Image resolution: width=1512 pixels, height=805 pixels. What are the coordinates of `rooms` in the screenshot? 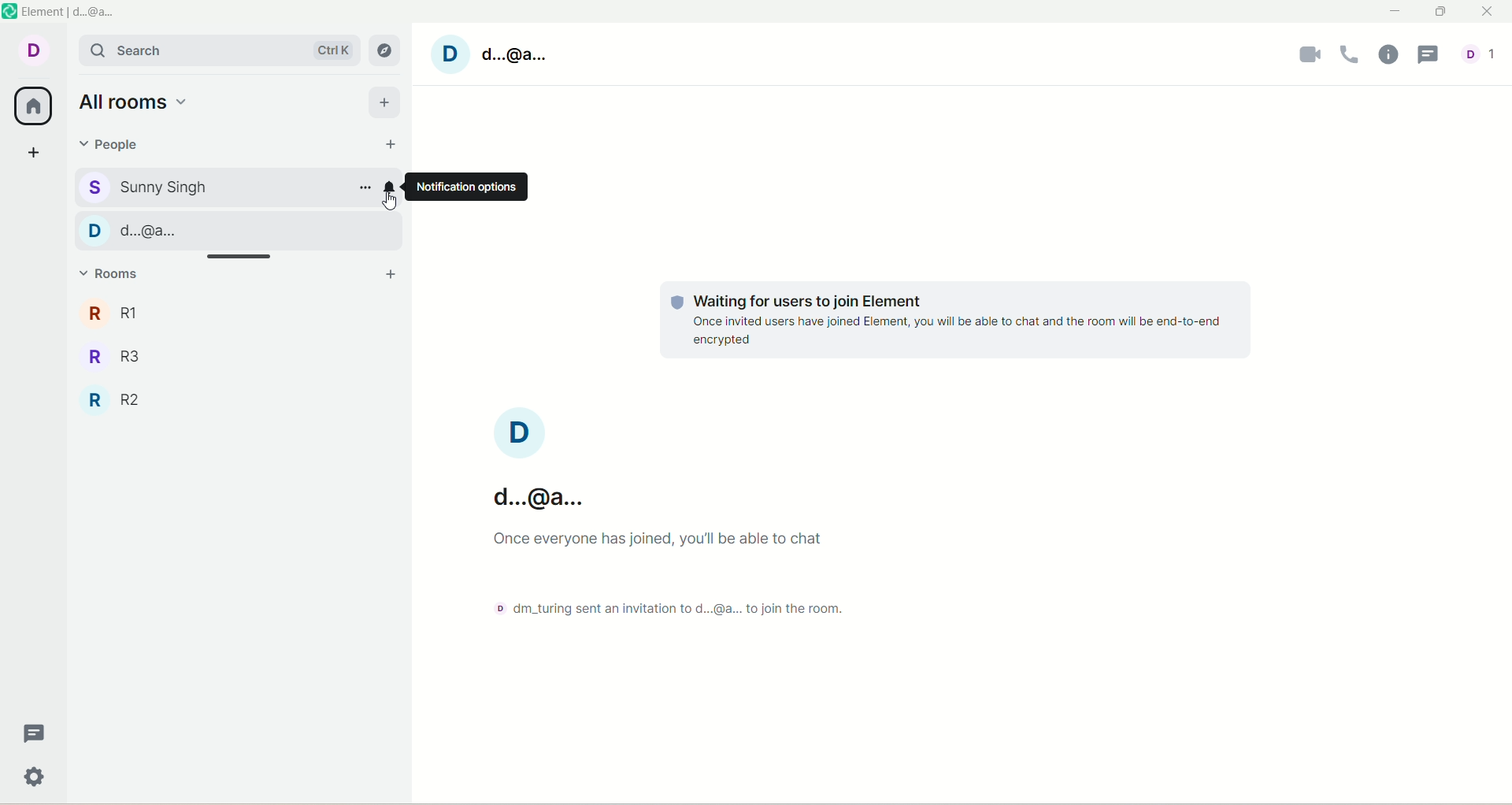 It's located at (110, 278).